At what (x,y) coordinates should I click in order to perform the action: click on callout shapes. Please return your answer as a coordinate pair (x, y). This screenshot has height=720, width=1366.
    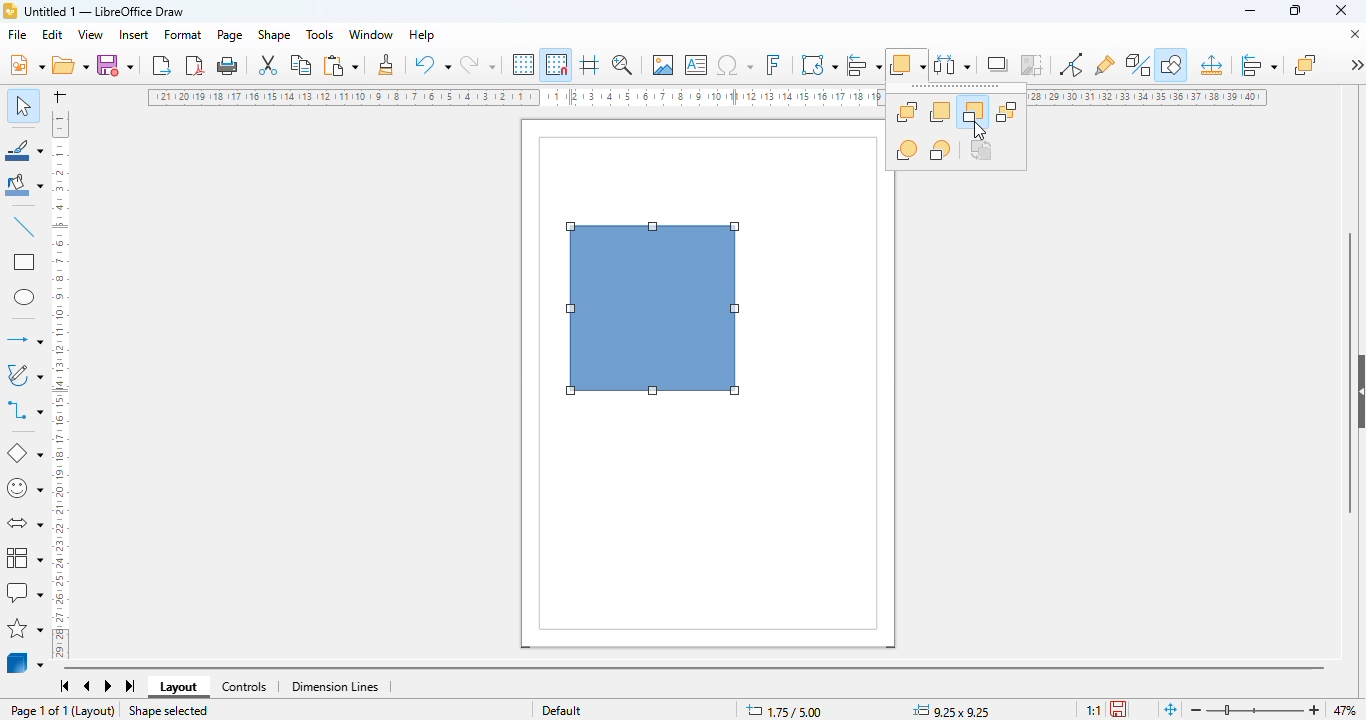
    Looking at the image, I should click on (24, 593).